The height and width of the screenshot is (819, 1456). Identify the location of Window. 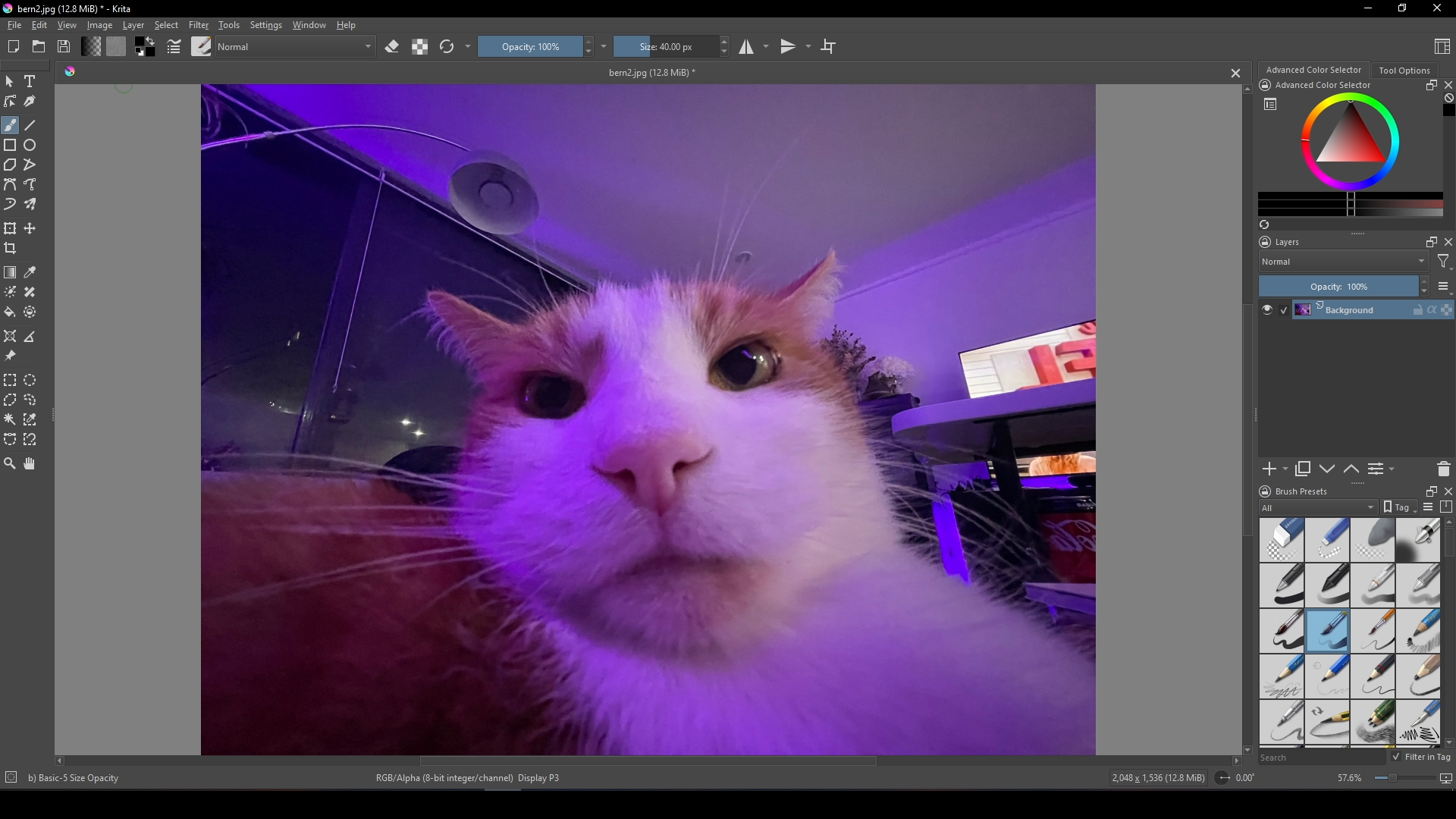
(309, 26).